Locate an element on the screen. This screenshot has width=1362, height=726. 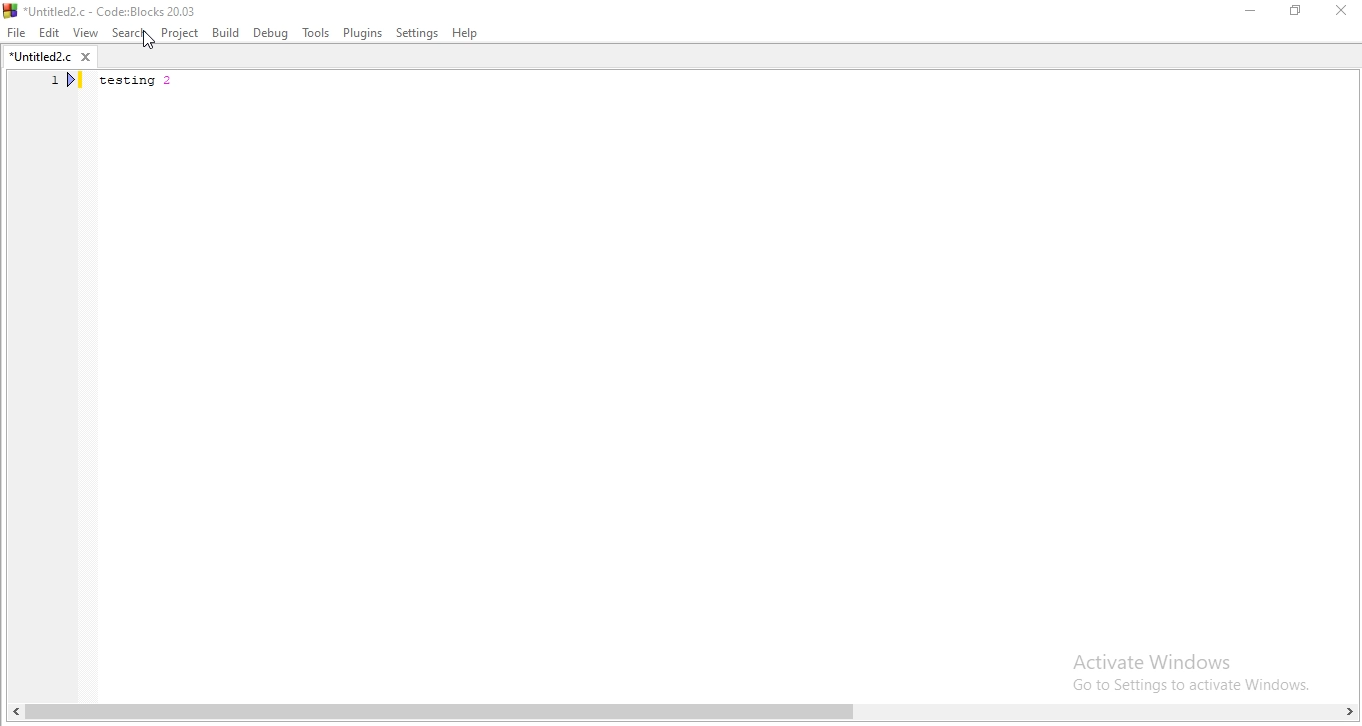
Activate Windows. Go to settings to activate windows is located at coordinates (1178, 669).